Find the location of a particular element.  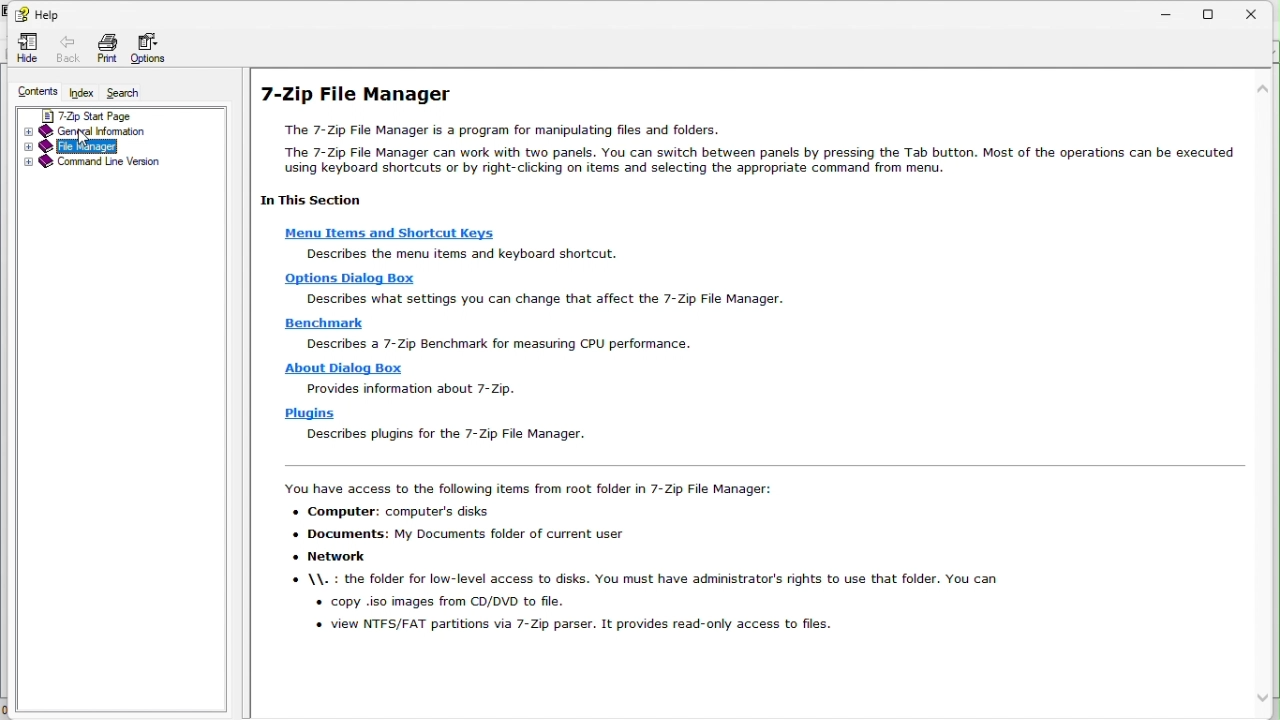

General information is located at coordinates (112, 132).